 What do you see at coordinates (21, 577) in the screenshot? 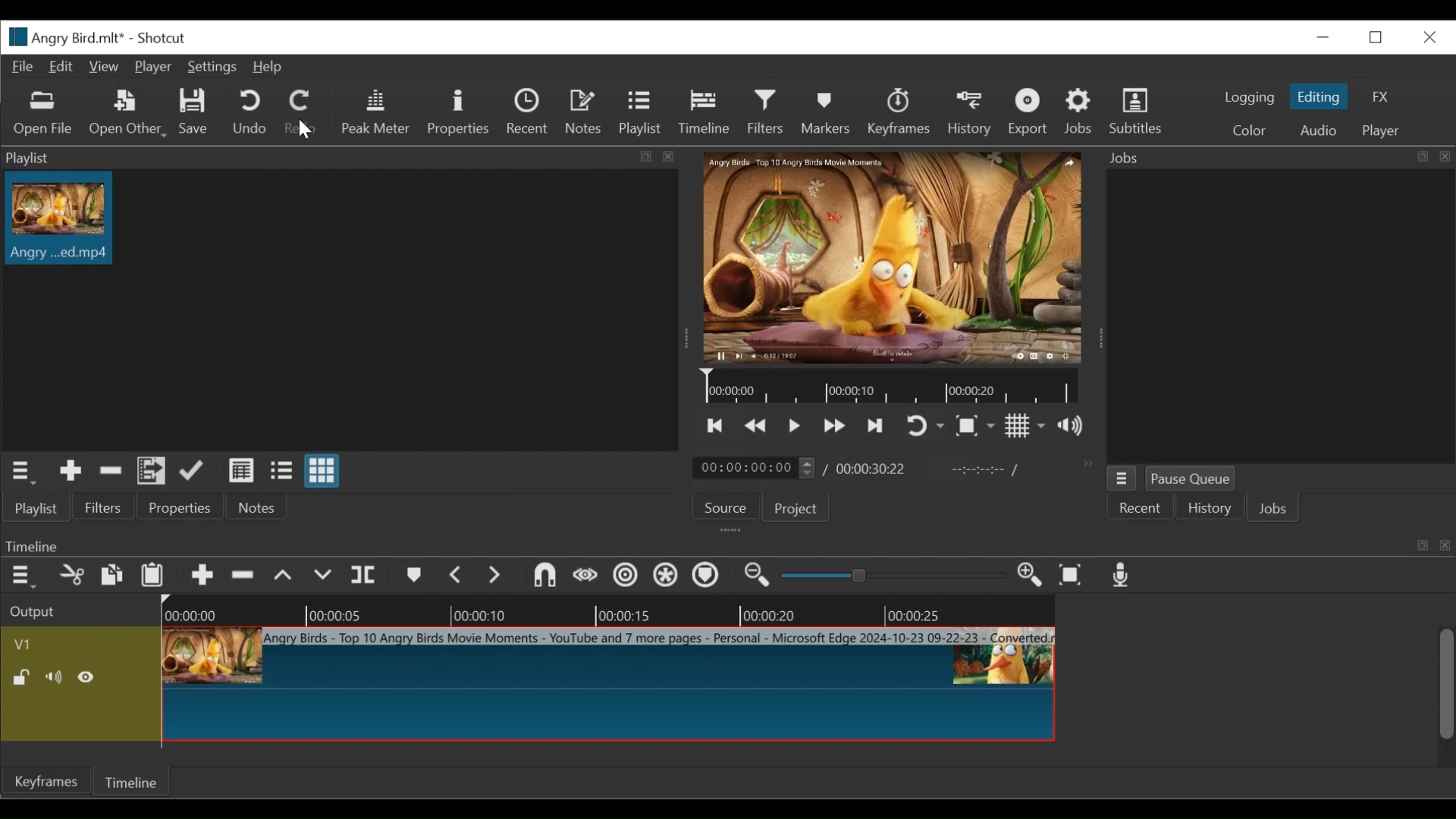
I see `Timeline menu` at bounding box center [21, 577].